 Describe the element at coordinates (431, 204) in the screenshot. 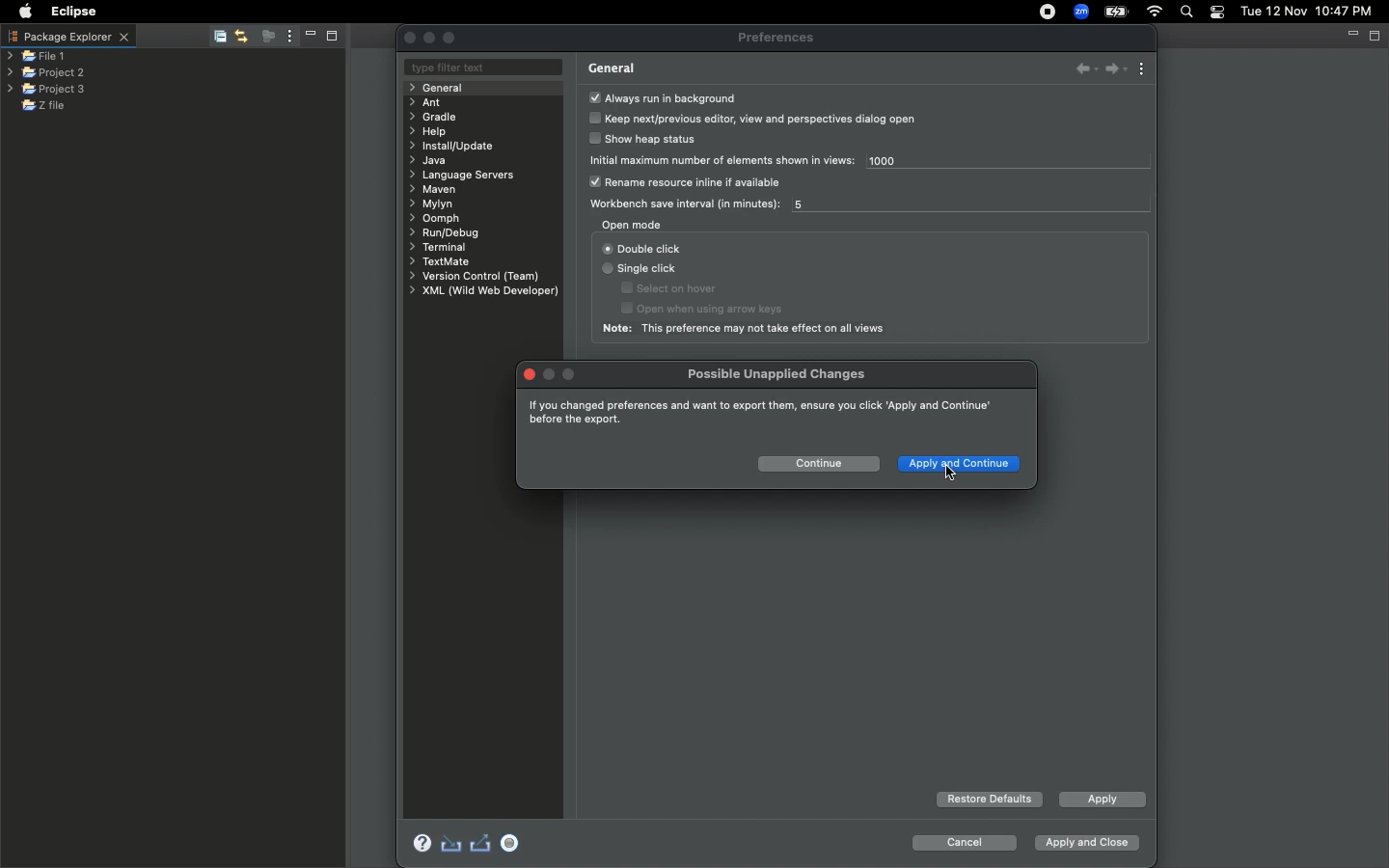

I see `Mylyn` at that location.